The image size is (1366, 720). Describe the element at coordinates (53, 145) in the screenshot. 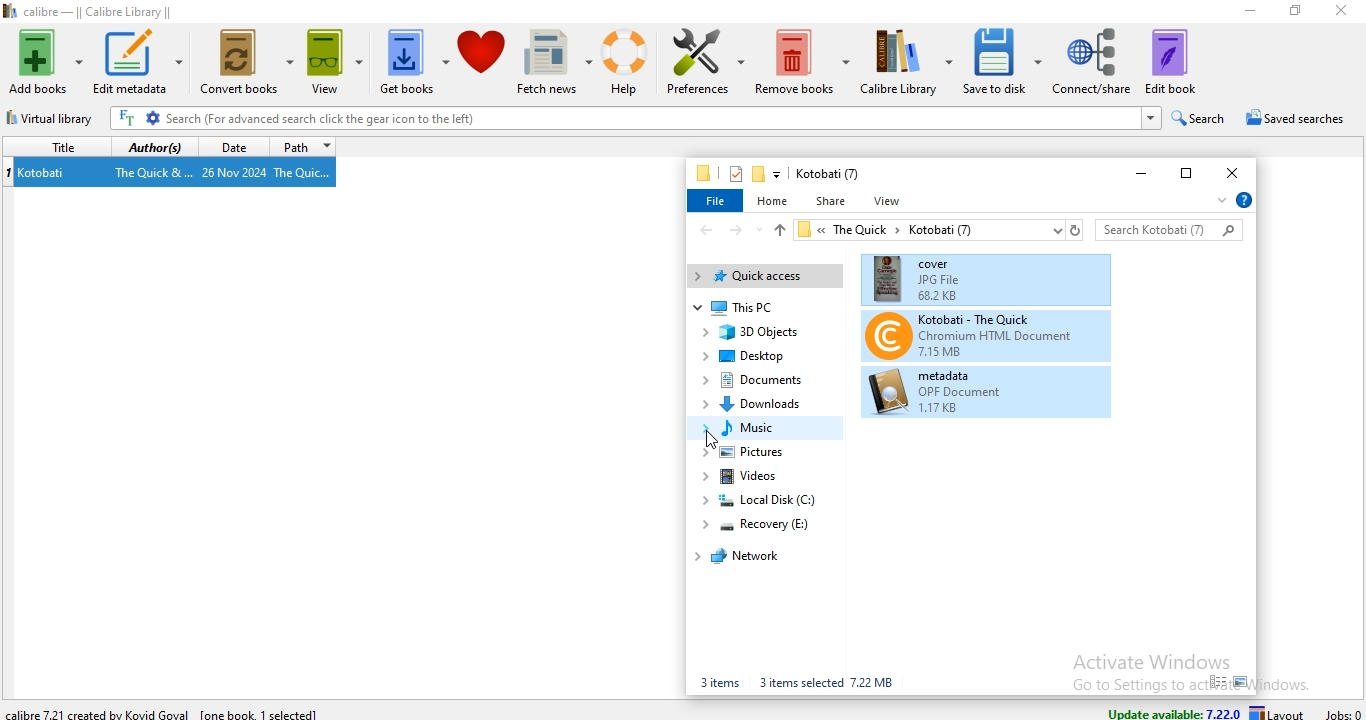

I see `title` at that location.